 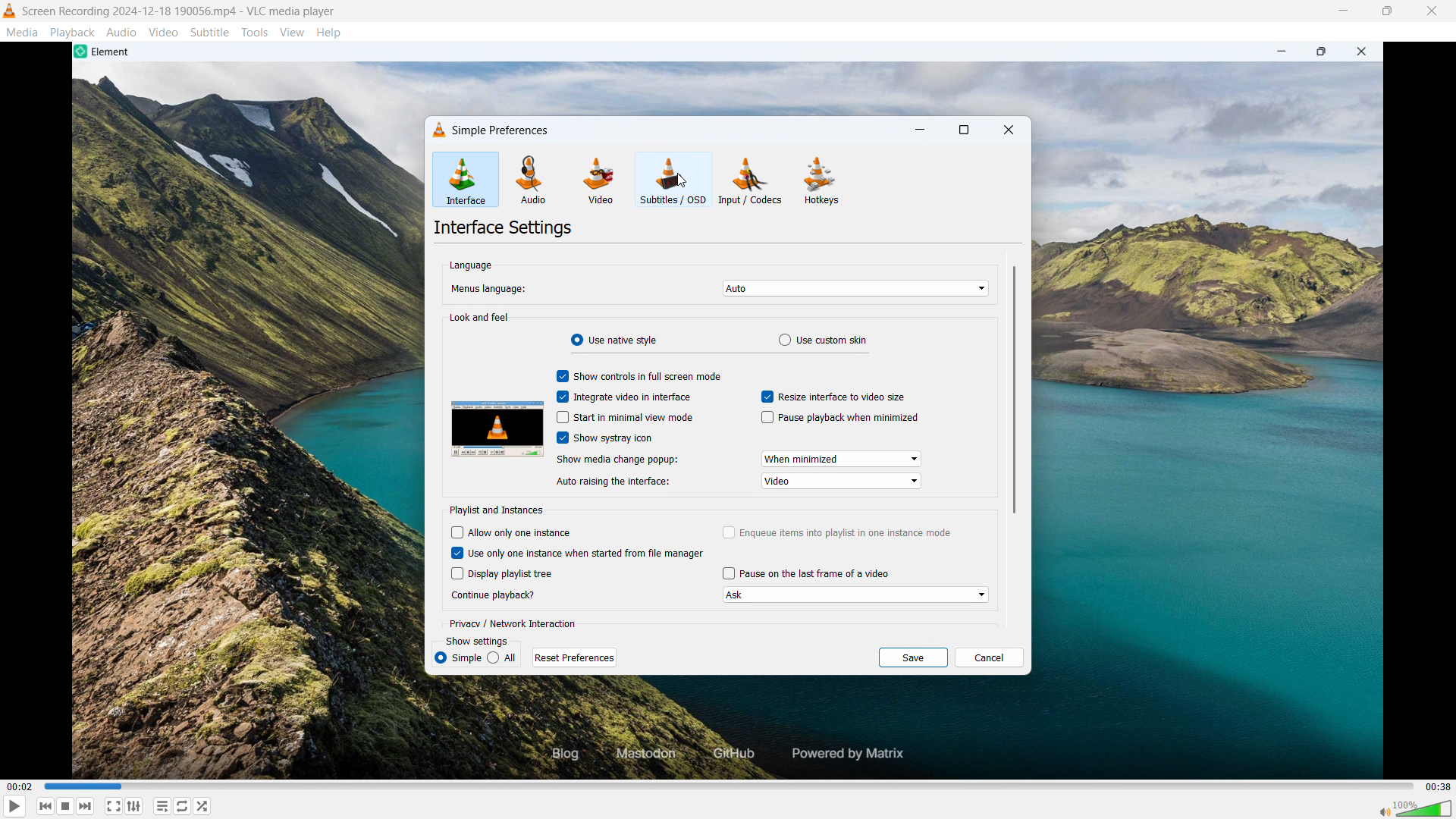 I want to click on enqueue items in playlist in one instance mode, so click(x=837, y=533).